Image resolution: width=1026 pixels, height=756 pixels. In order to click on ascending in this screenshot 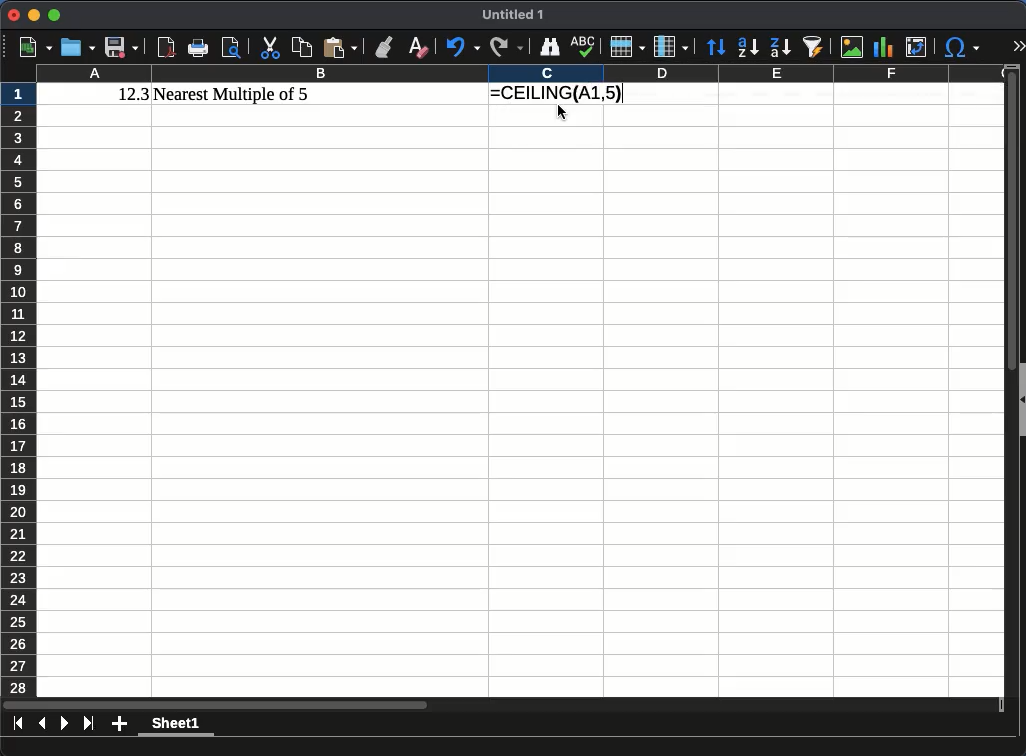, I will do `click(748, 48)`.